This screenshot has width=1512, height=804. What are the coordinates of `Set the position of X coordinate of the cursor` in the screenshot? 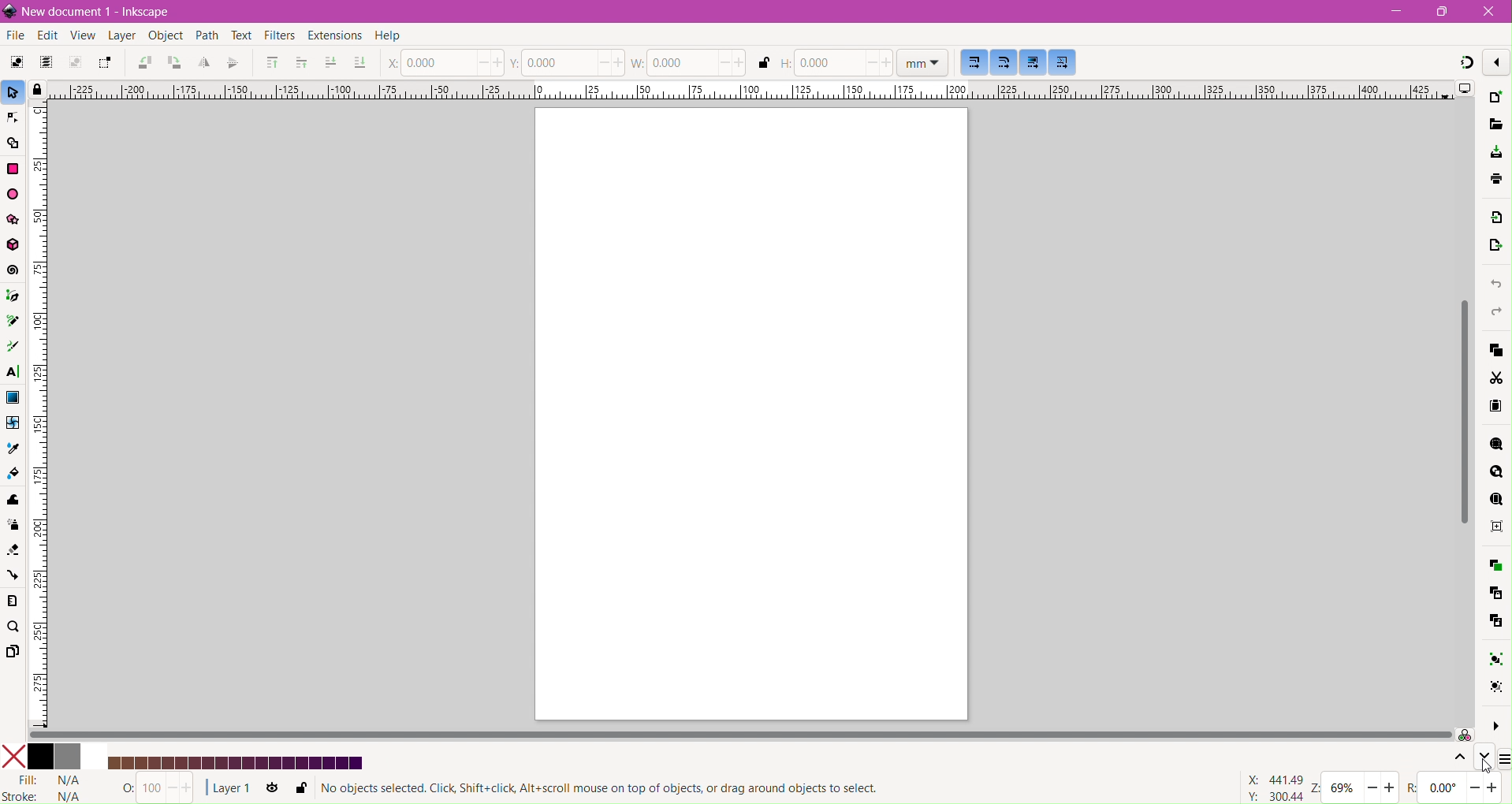 It's located at (443, 61).